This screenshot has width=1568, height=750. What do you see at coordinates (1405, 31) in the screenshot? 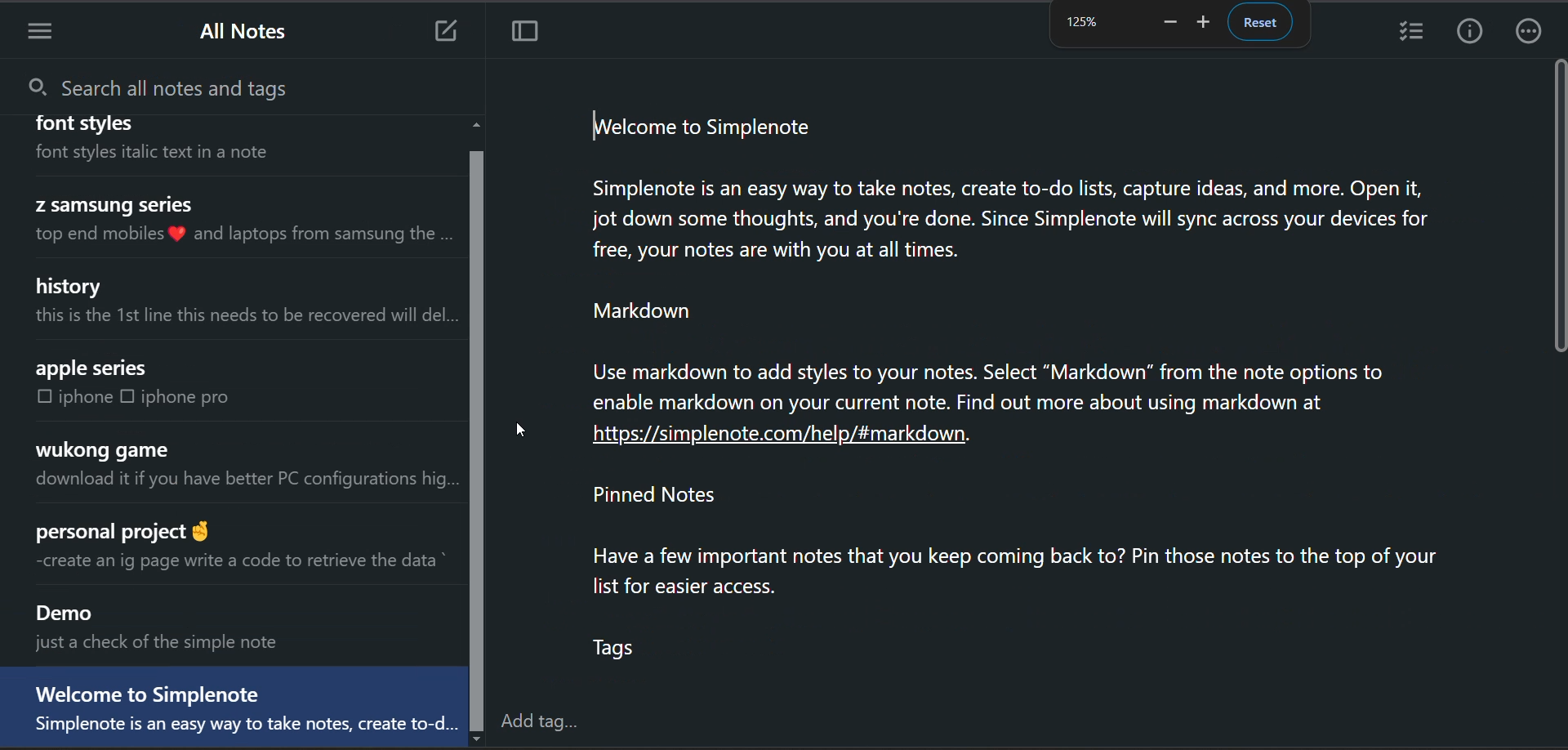
I see `insert checklist` at bounding box center [1405, 31].